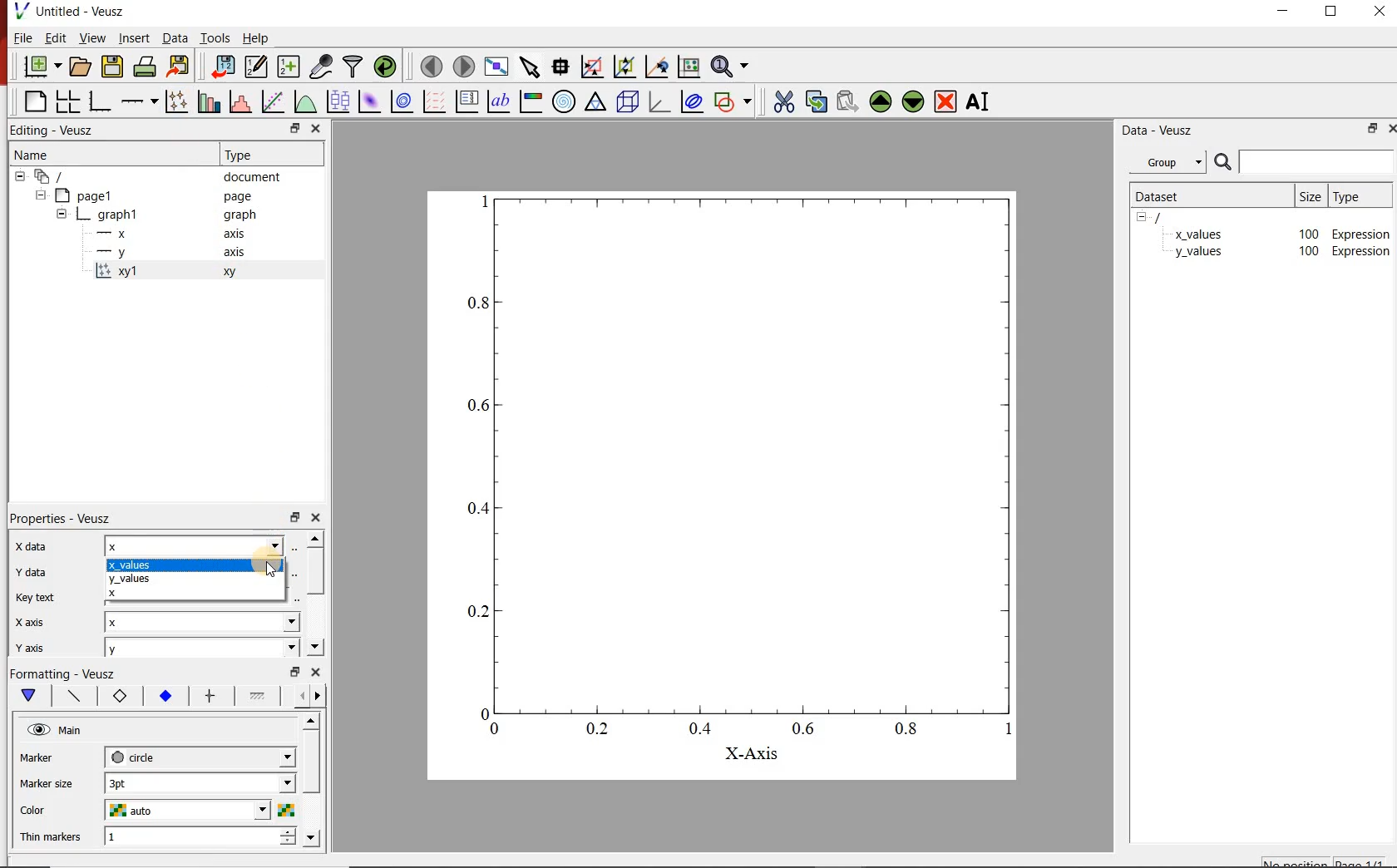 This screenshot has width=1397, height=868. What do you see at coordinates (1307, 253) in the screenshot?
I see `100` at bounding box center [1307, 253].